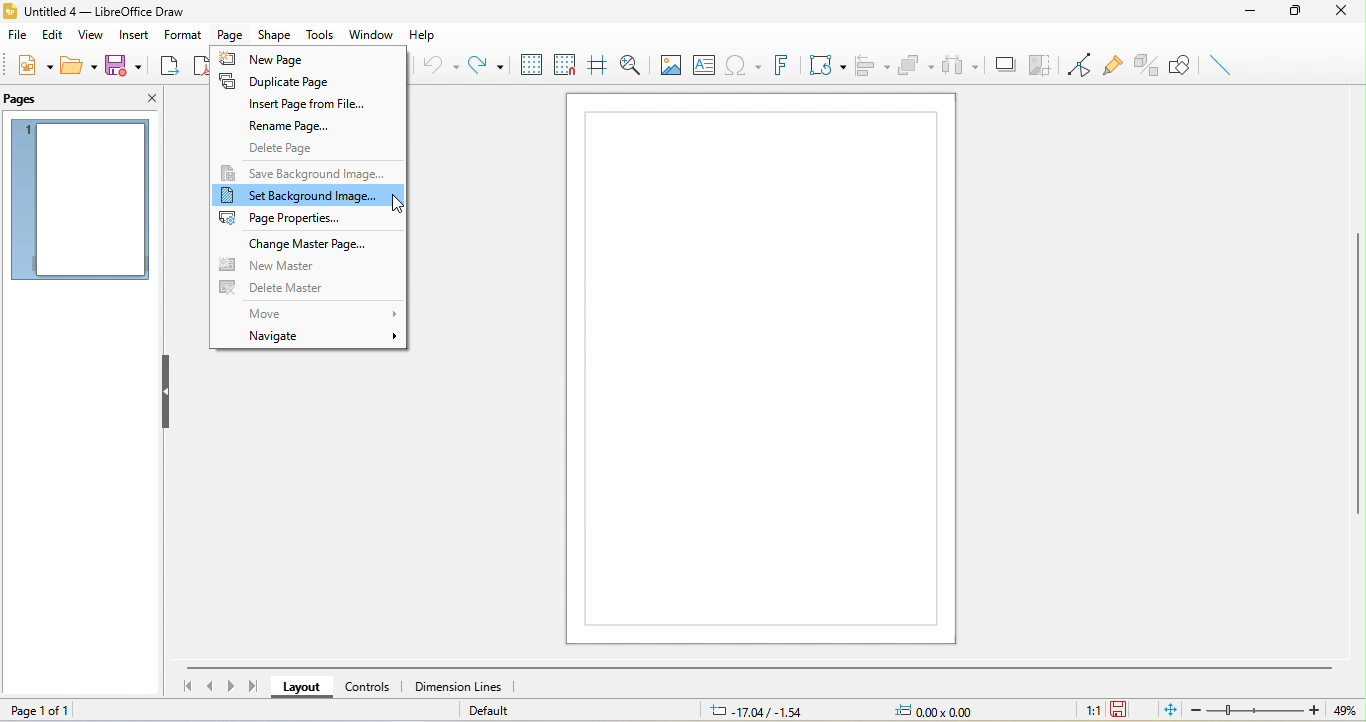  I want to click on transformation, so click(828, 67).